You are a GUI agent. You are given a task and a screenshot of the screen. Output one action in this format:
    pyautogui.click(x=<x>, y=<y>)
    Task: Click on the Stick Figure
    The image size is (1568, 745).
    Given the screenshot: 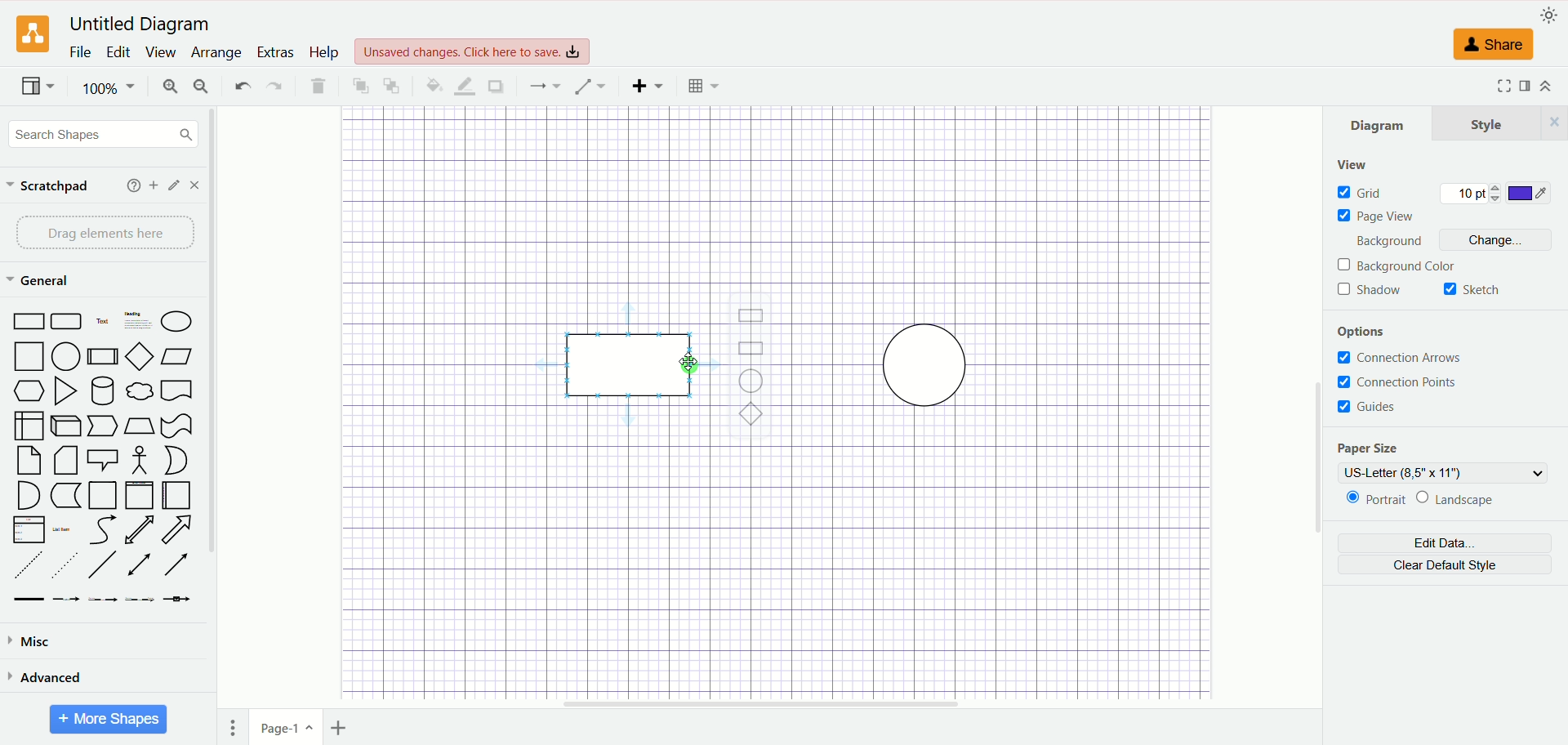 What is the action you would take?
    pyautogui.click(x=142, y=460)
    